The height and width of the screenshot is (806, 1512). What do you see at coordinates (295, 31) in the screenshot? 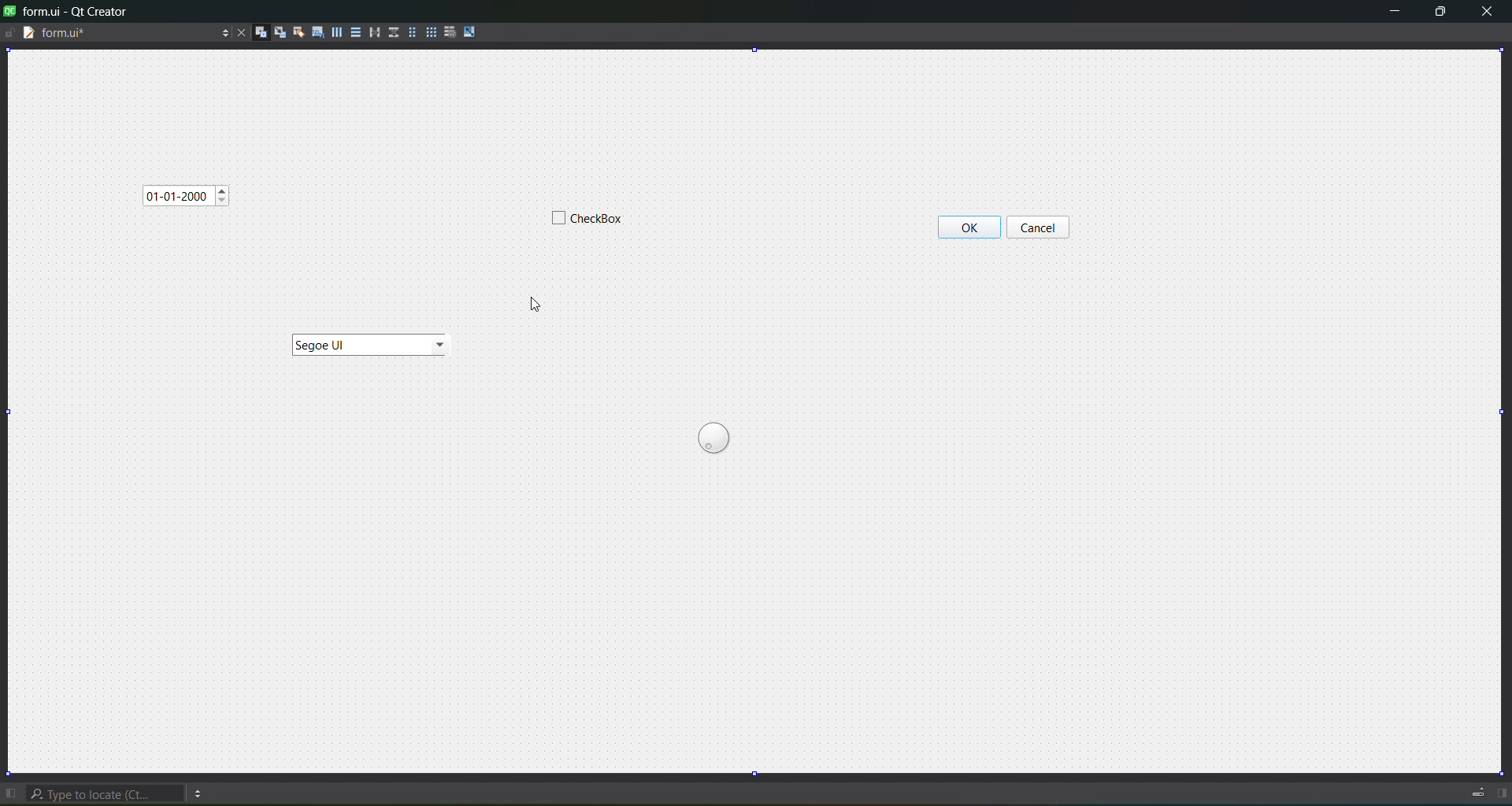
I see `edit buddies` at bounding box center [295, 31].